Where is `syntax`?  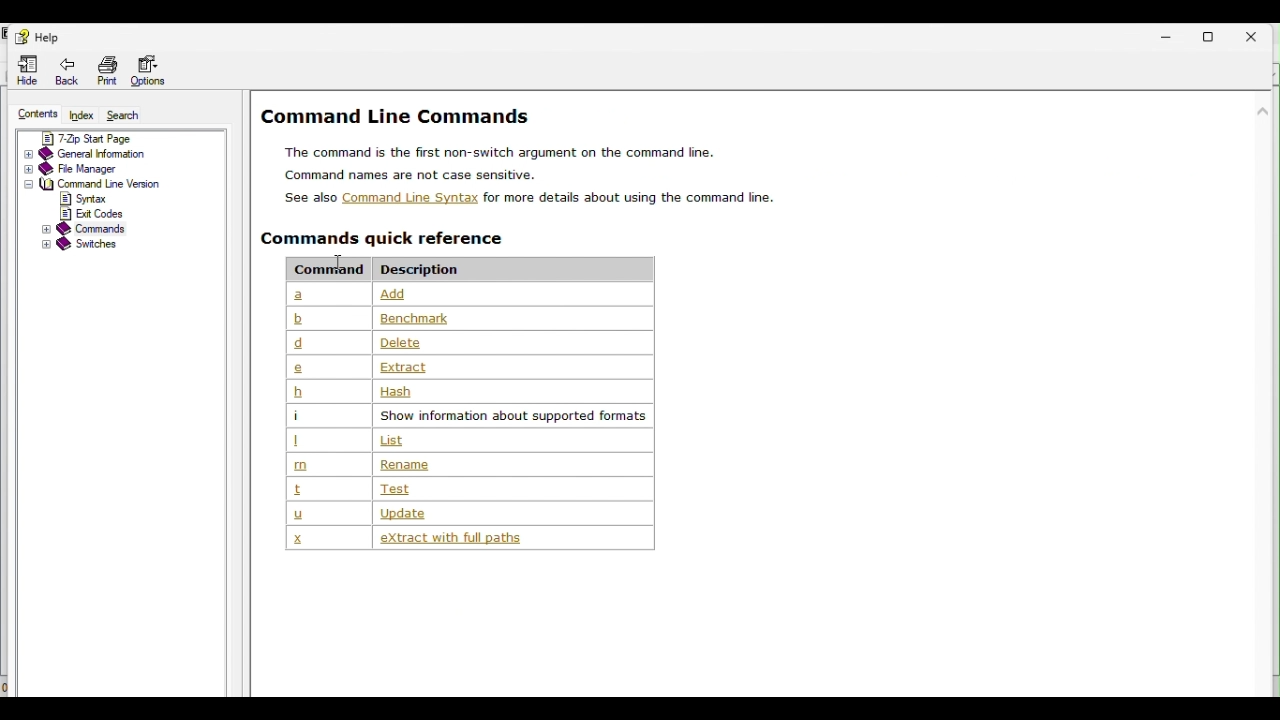 syntax is located at coordinates (91, 199).